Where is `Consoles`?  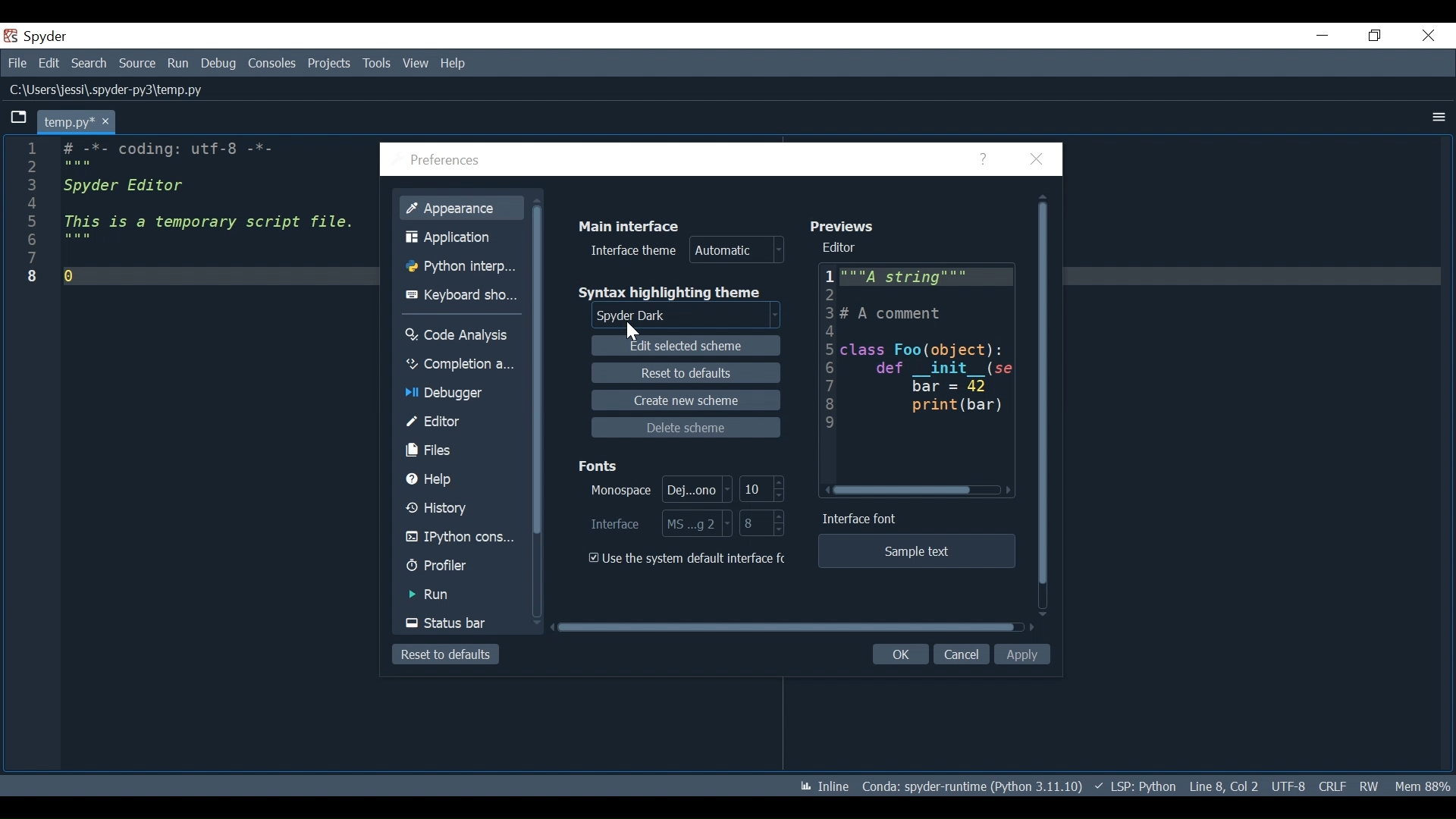 Consoles is located at coordinates (272, 64).